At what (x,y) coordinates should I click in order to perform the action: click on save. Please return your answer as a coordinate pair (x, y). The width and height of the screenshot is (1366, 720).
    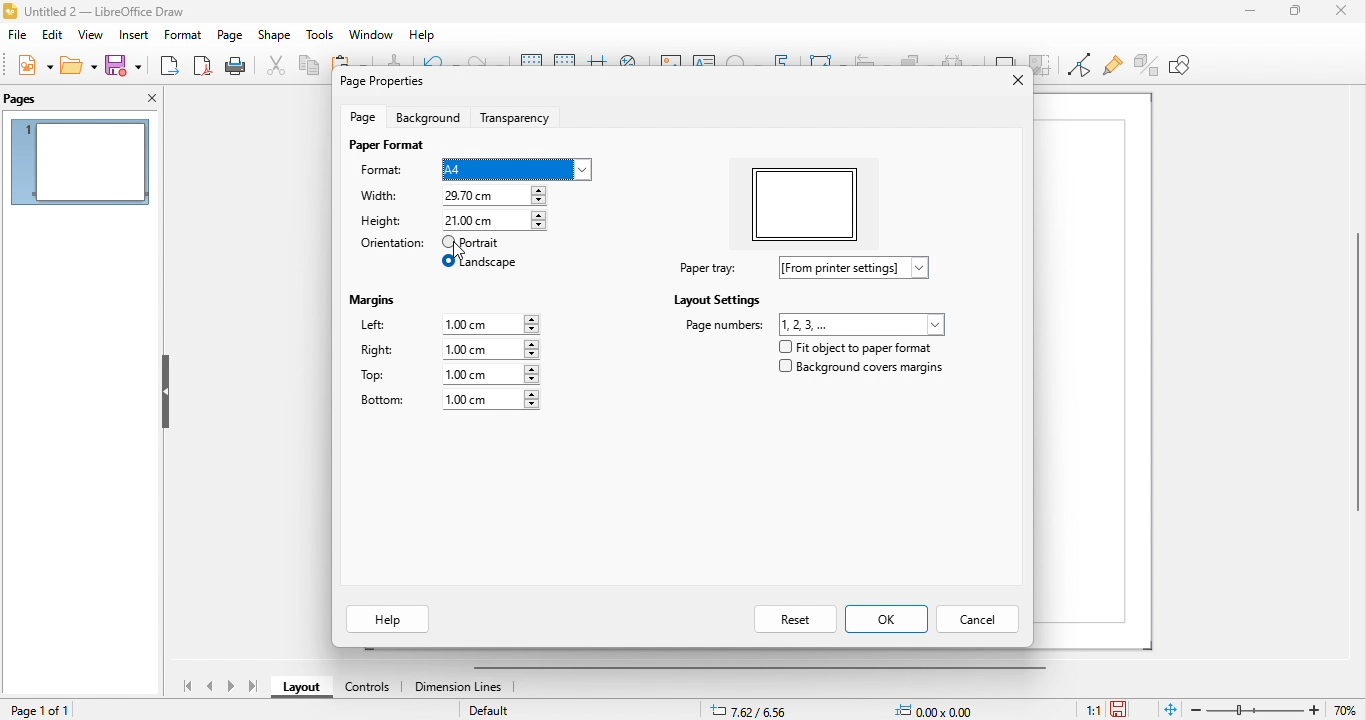
    Looking at the image, I should click on (125, 65).